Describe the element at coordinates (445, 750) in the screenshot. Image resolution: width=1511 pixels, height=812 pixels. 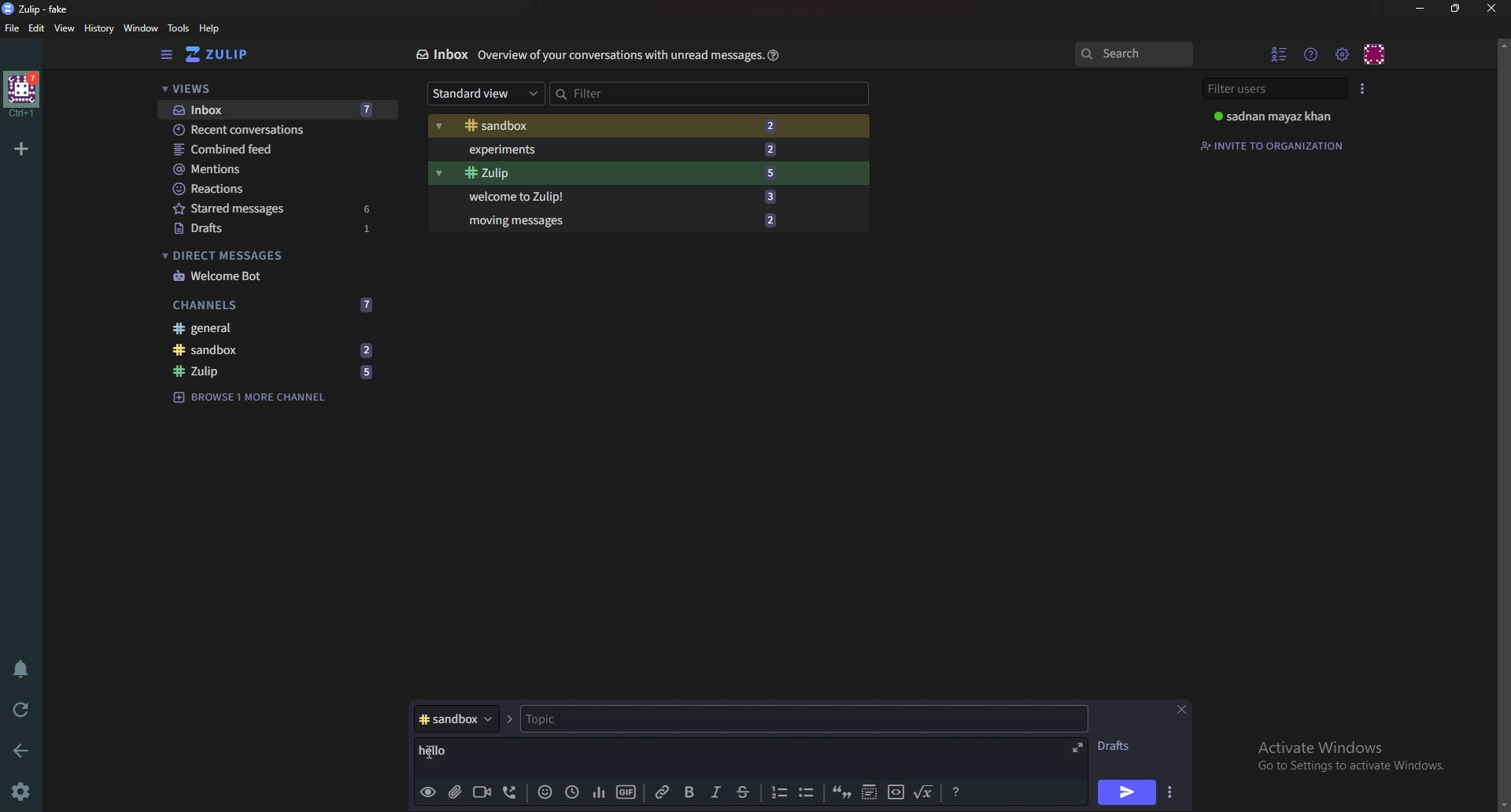
I see `hello` at that location.